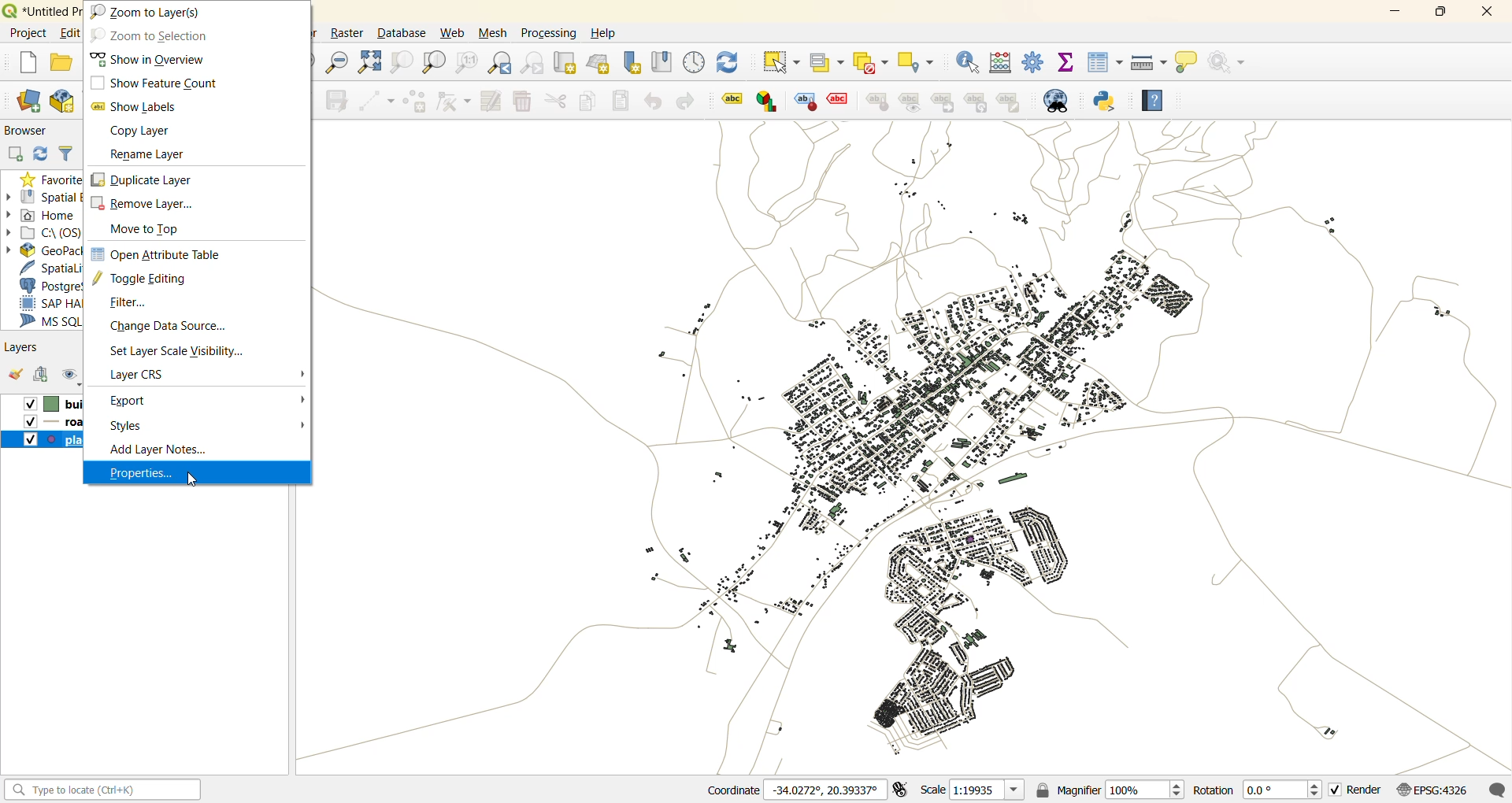 The height and width of the screenshot is (803, 1512). I want to click on styles, so click(132, 427).